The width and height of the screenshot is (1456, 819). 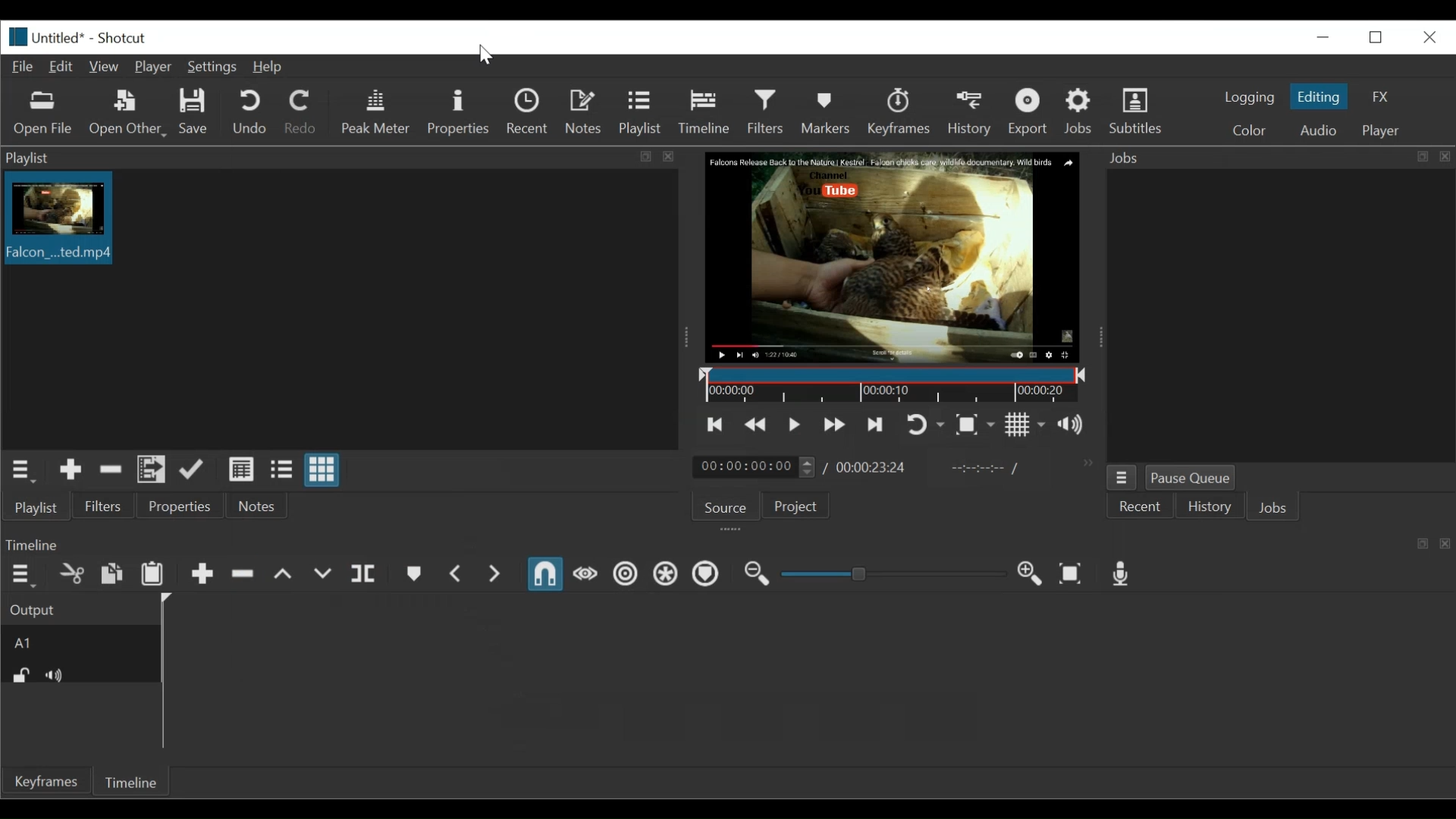 I want to click on Color, so click(x=1250, y=128).